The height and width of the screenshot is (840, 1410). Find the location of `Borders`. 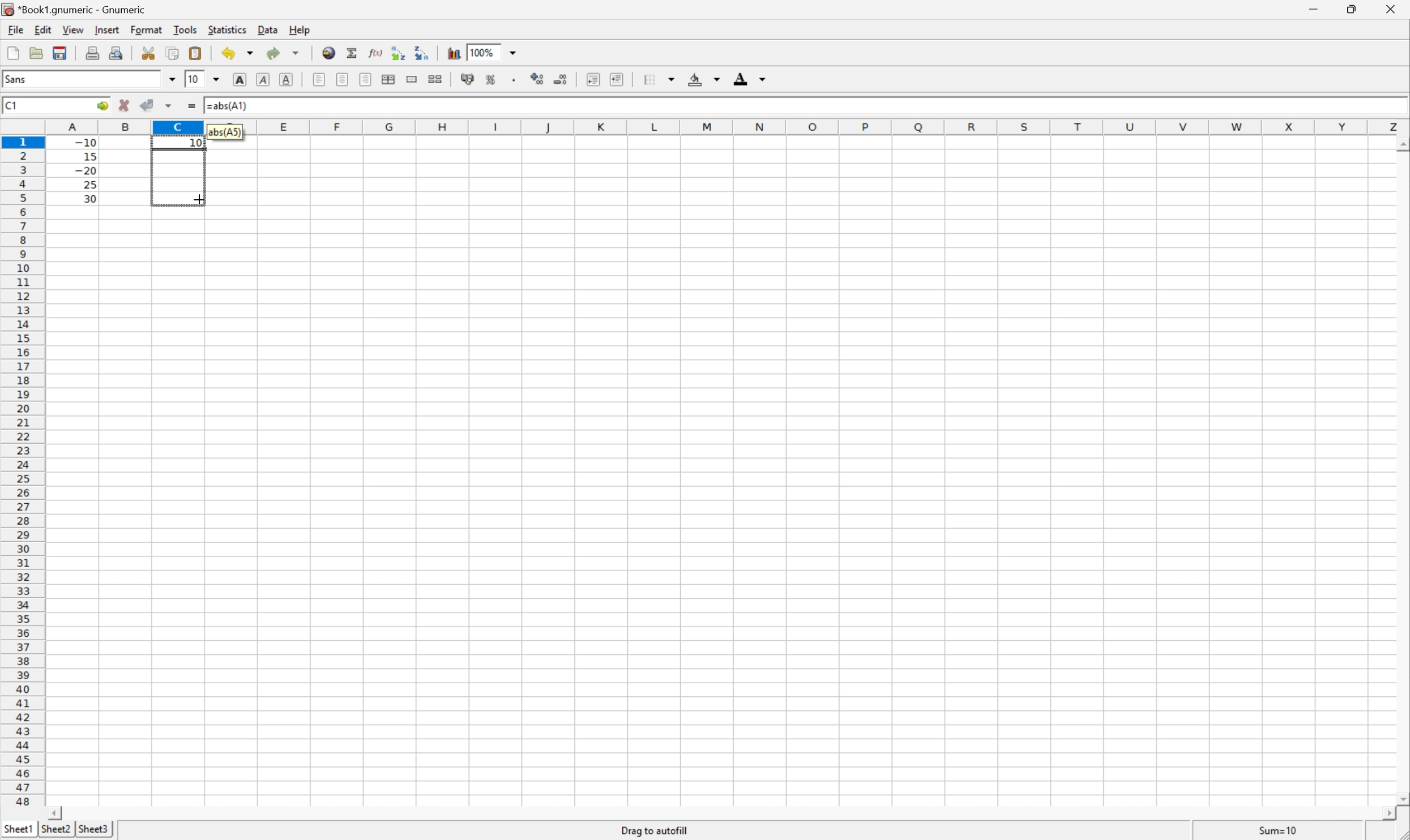

Borders is located at coordinates (647, 79).